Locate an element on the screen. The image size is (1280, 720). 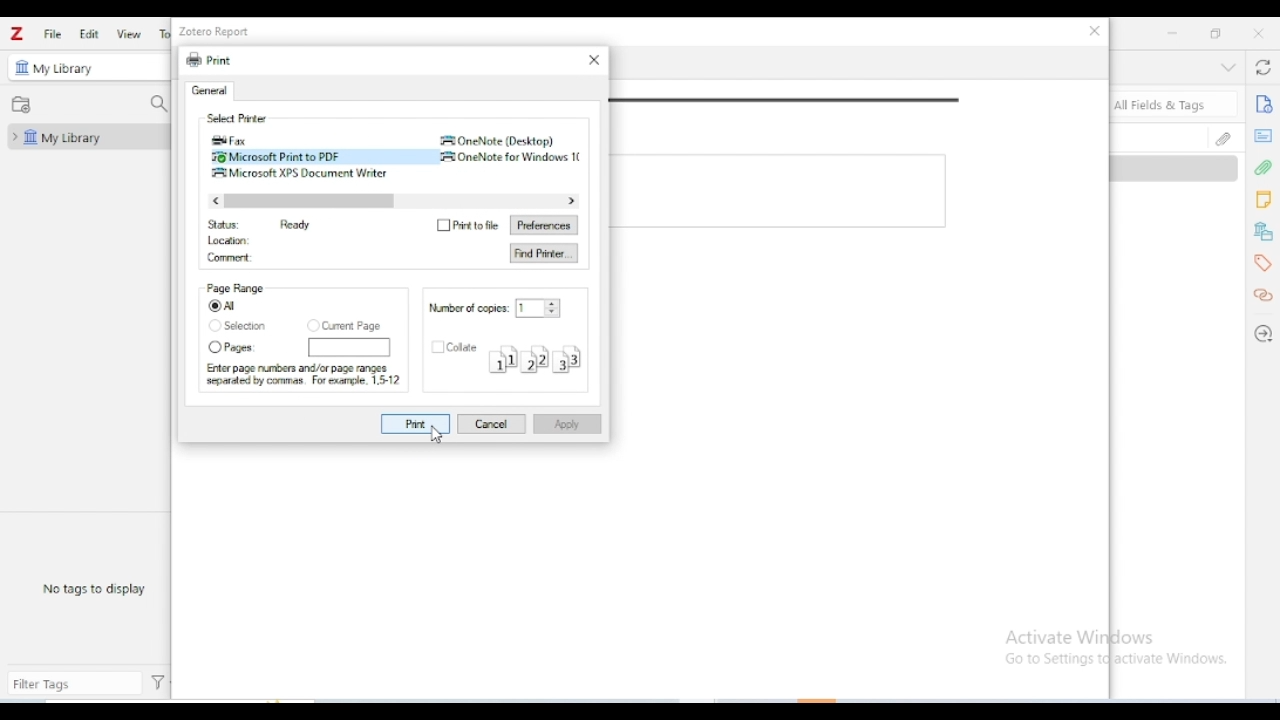
collapse section is located at coordinates (1228, 67).